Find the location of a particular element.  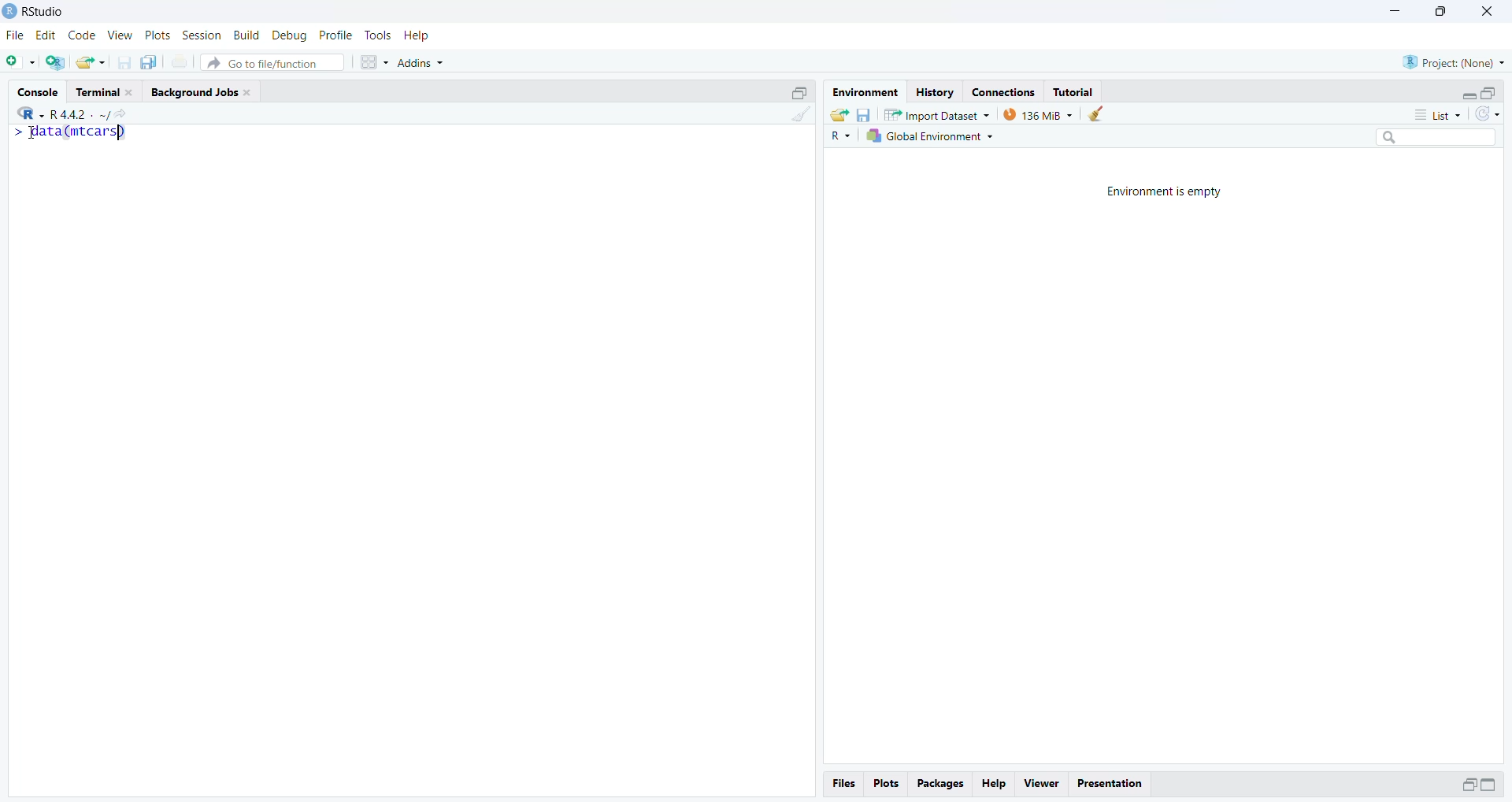

History is located at coordinates (933, 91).